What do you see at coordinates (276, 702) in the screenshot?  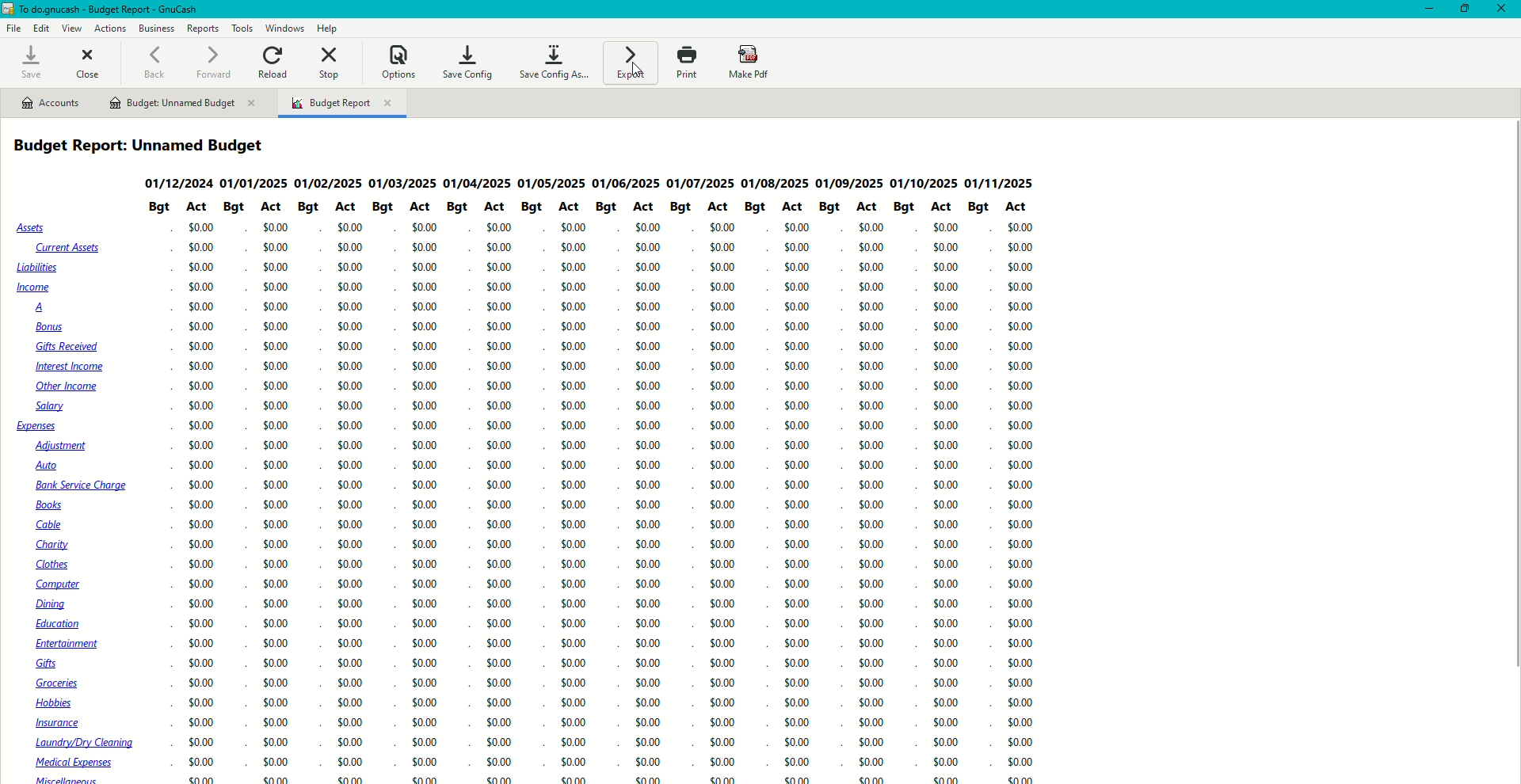 I see `$0.00` at bounding box center [276, 702].